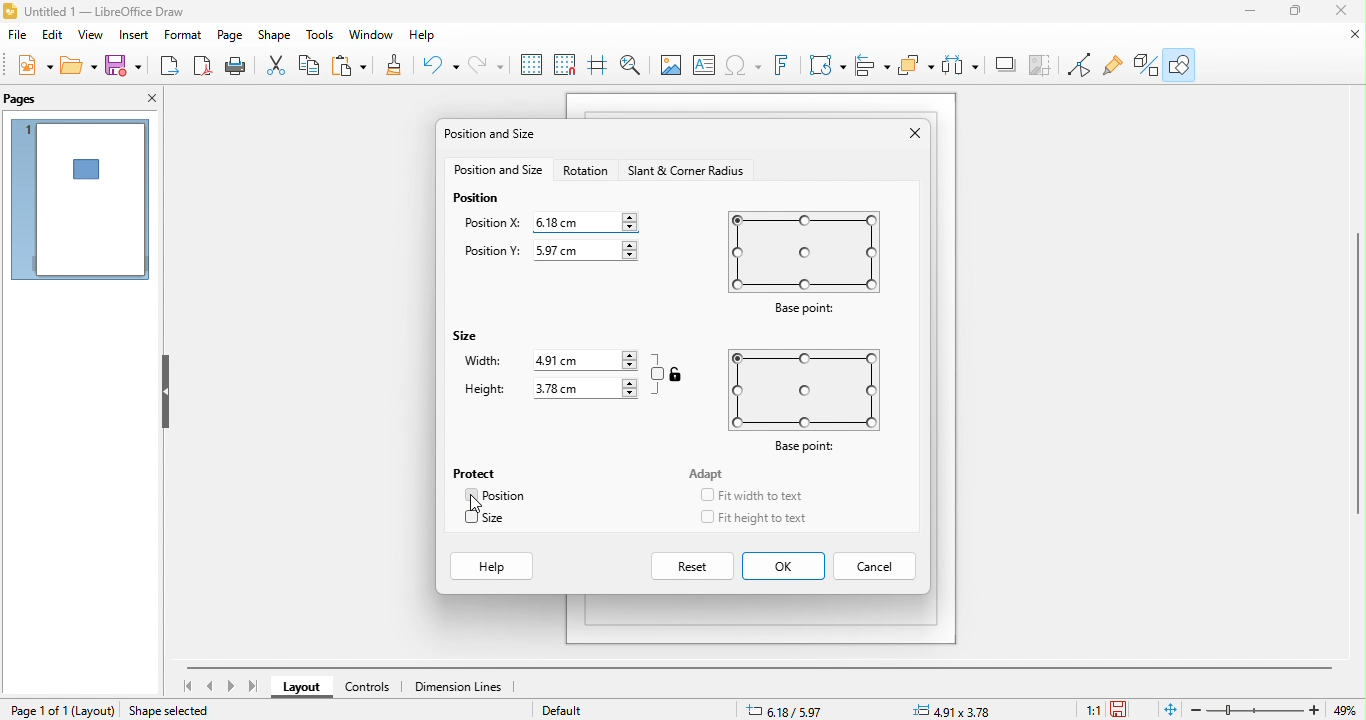  I want to click on text box, so click(704, 66).